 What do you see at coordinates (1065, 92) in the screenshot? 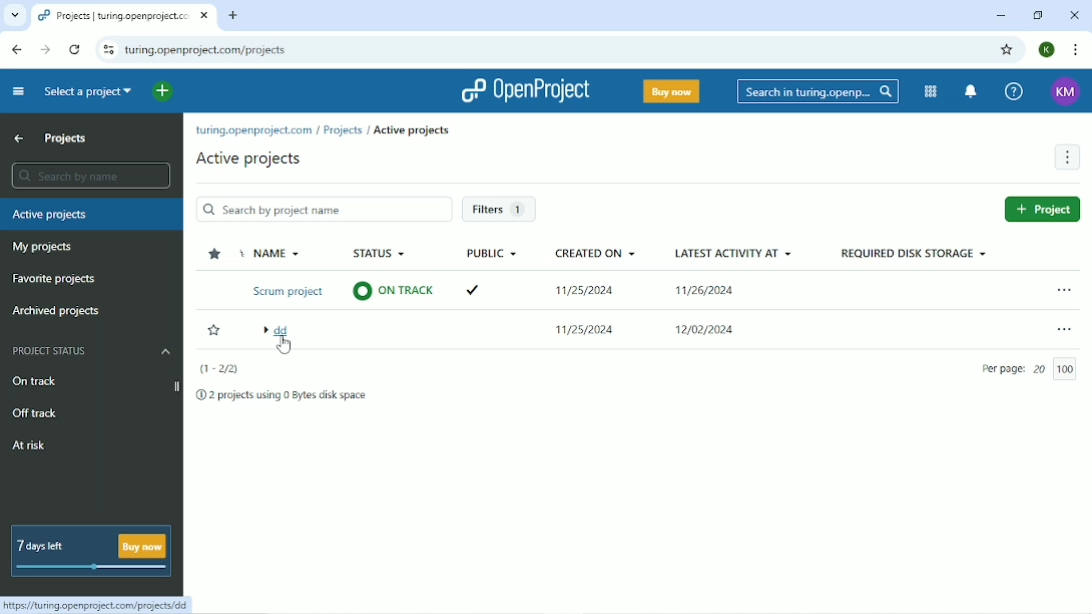
I see `Account` at bounding box center [1065, 92].